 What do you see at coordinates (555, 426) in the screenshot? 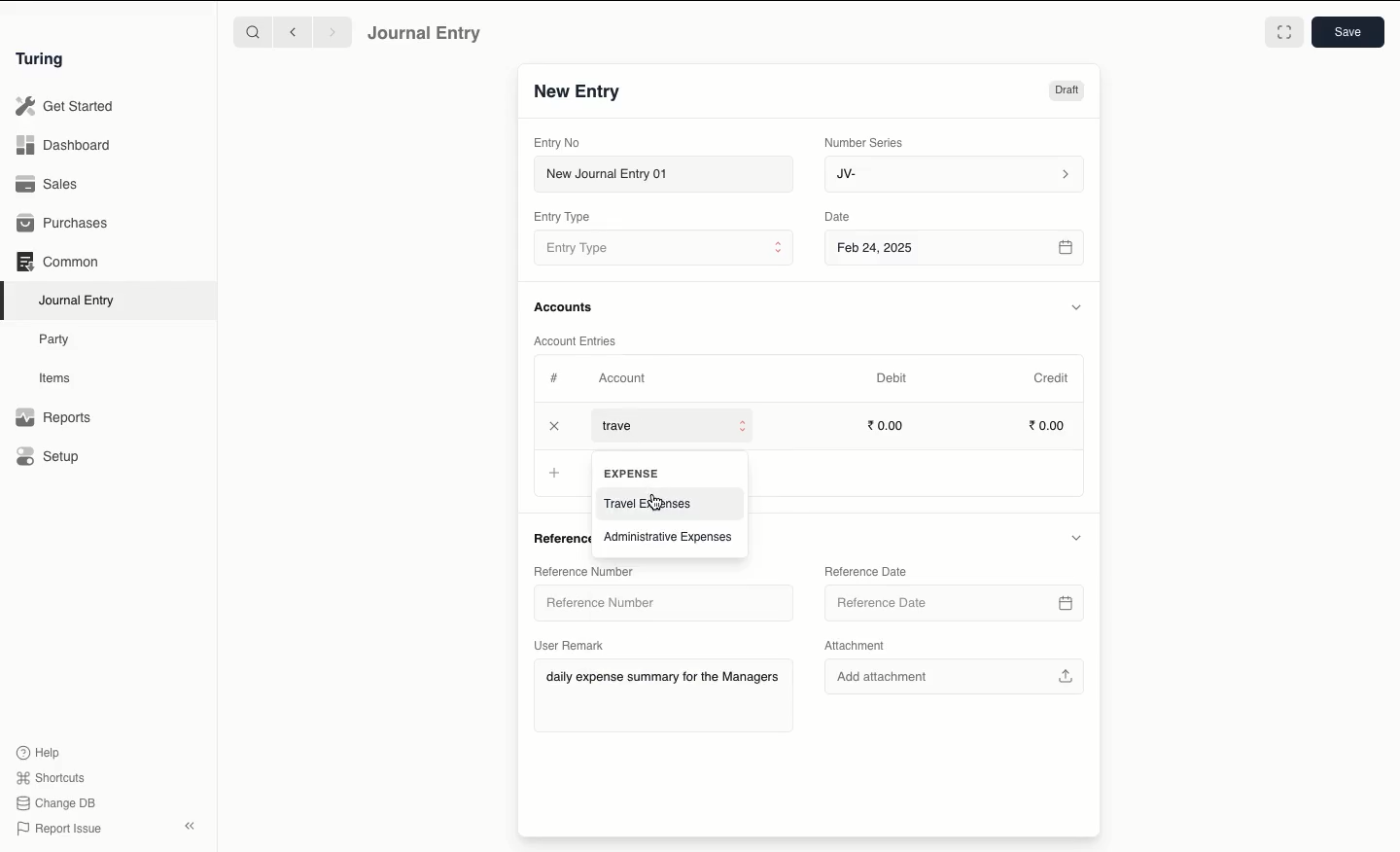
I see `Add` at bounding box center [555, 426].